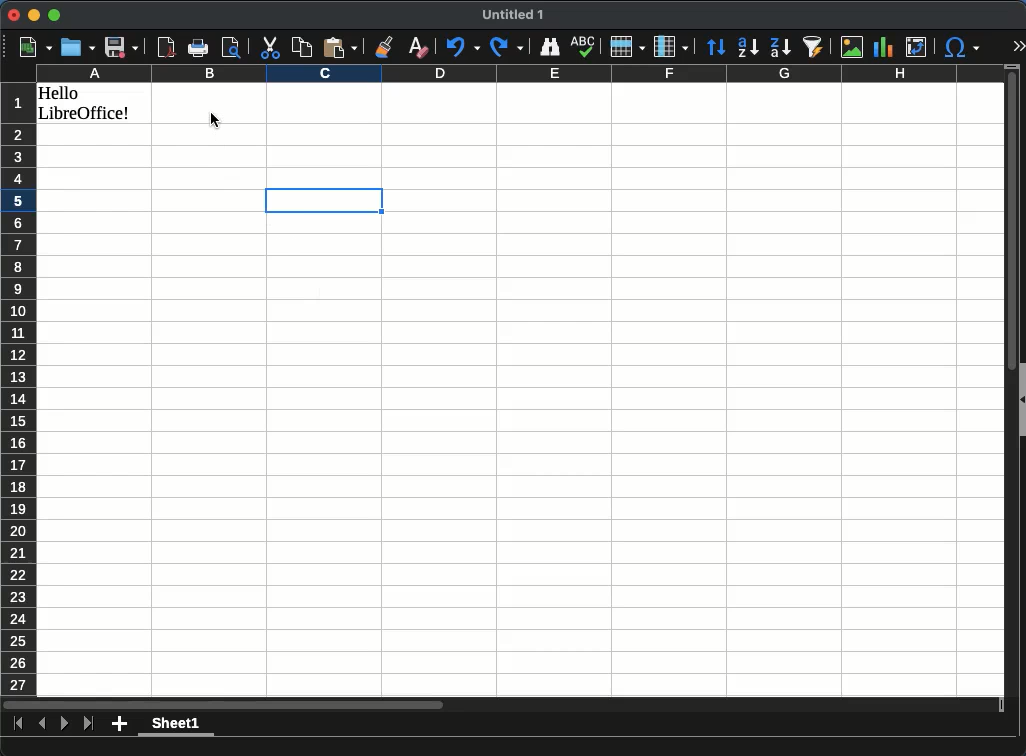 The image size is (1026, 756). What do you see at coordinates (42, 720) in the screenshot?
I see `previous sheet` at bounding box center [42, 720].